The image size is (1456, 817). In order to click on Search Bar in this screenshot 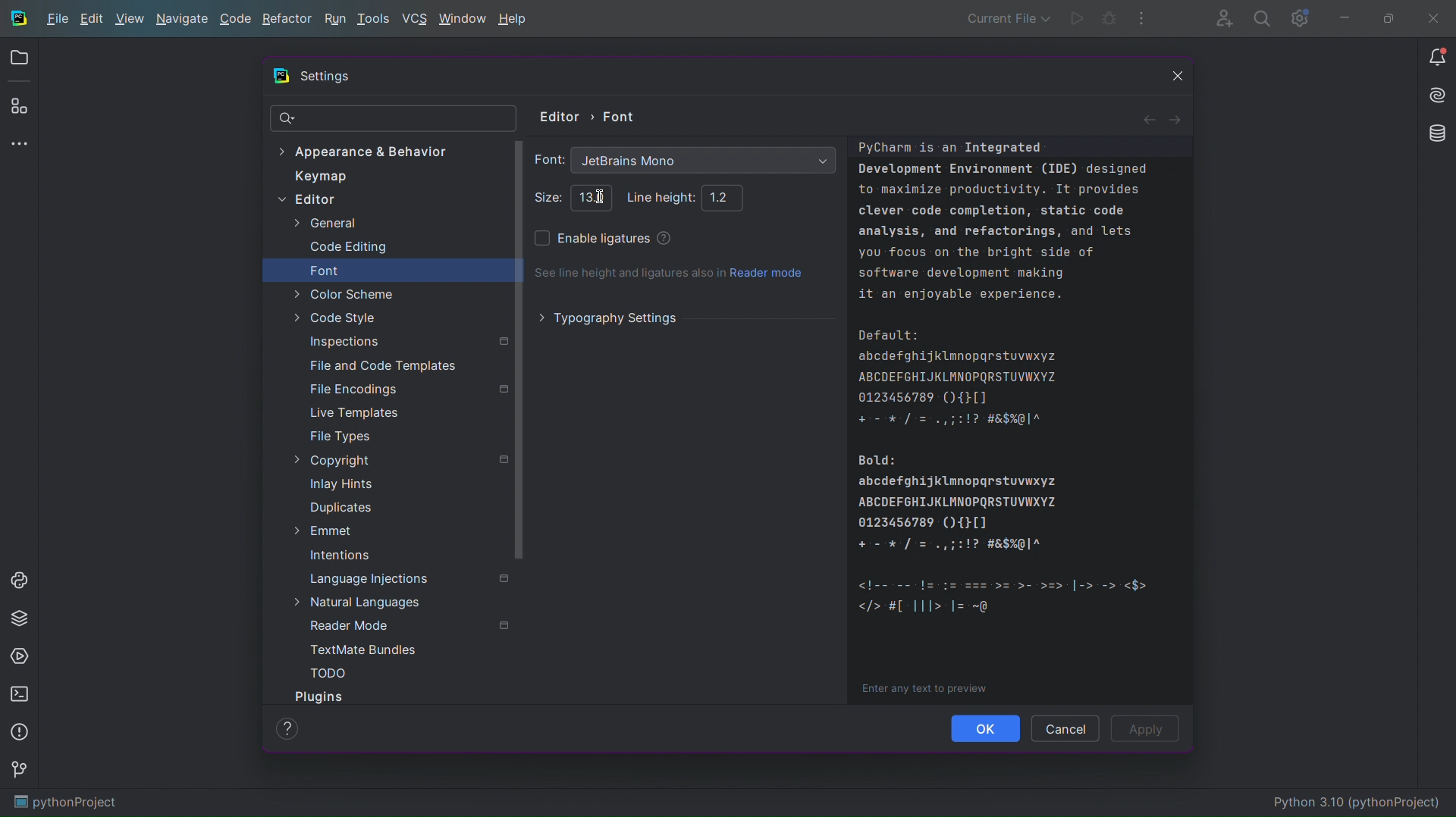, I will do `click(394, 119)`.